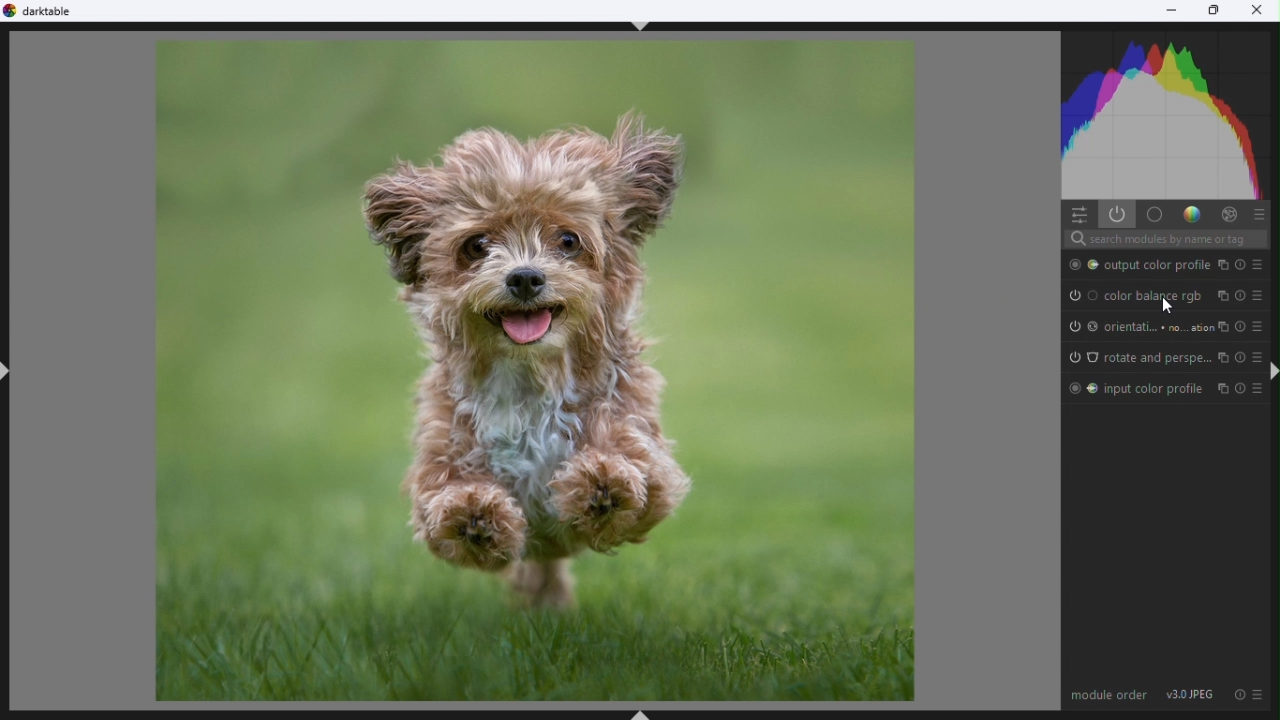  What do you see at coordinates (1168, 295) in the screenshot?
I see `Colour balance rgb` at bounding box center [1168, 295].